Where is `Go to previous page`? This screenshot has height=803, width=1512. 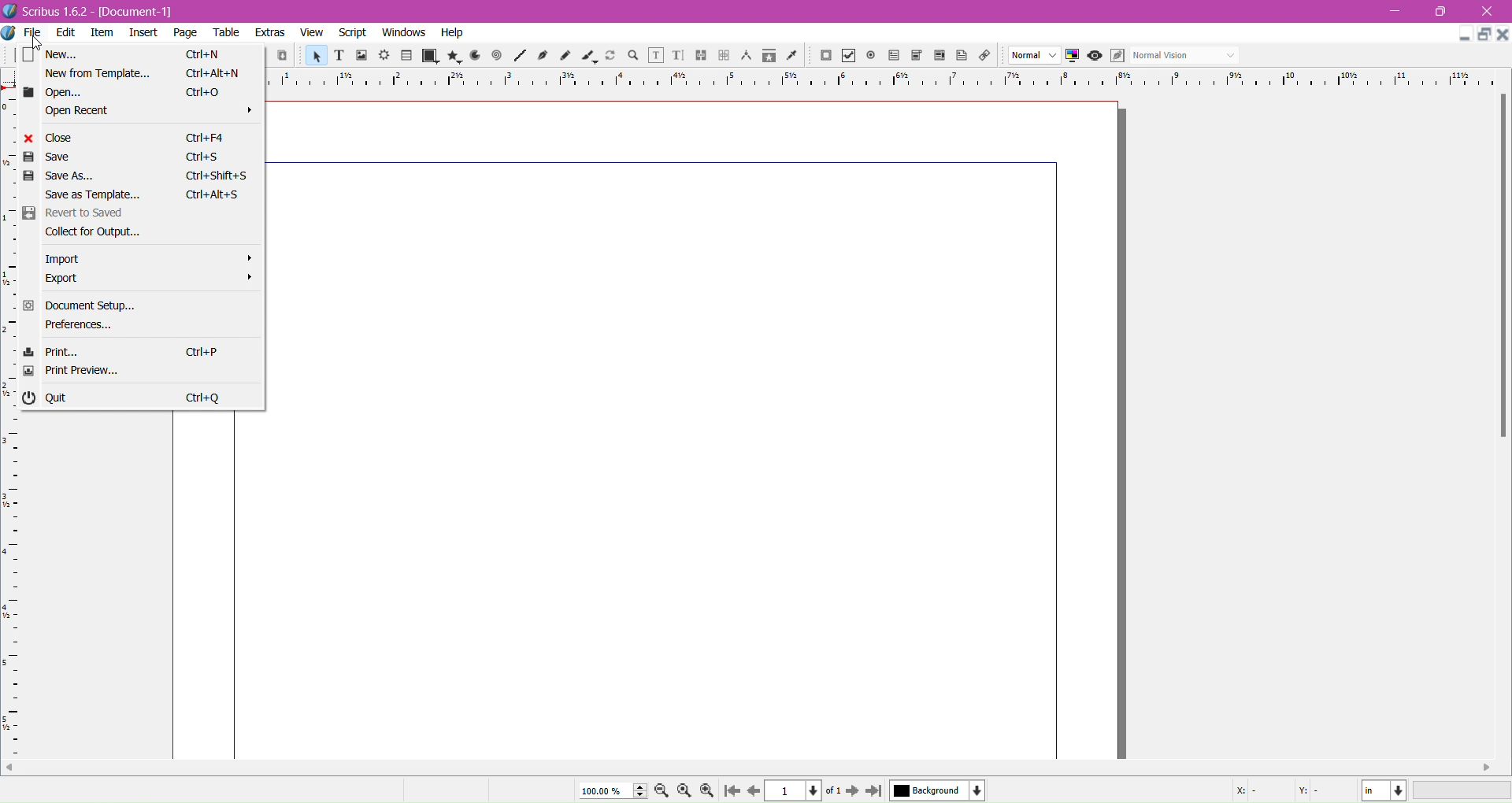 Go to previous page is located at coordinates (751, 791).